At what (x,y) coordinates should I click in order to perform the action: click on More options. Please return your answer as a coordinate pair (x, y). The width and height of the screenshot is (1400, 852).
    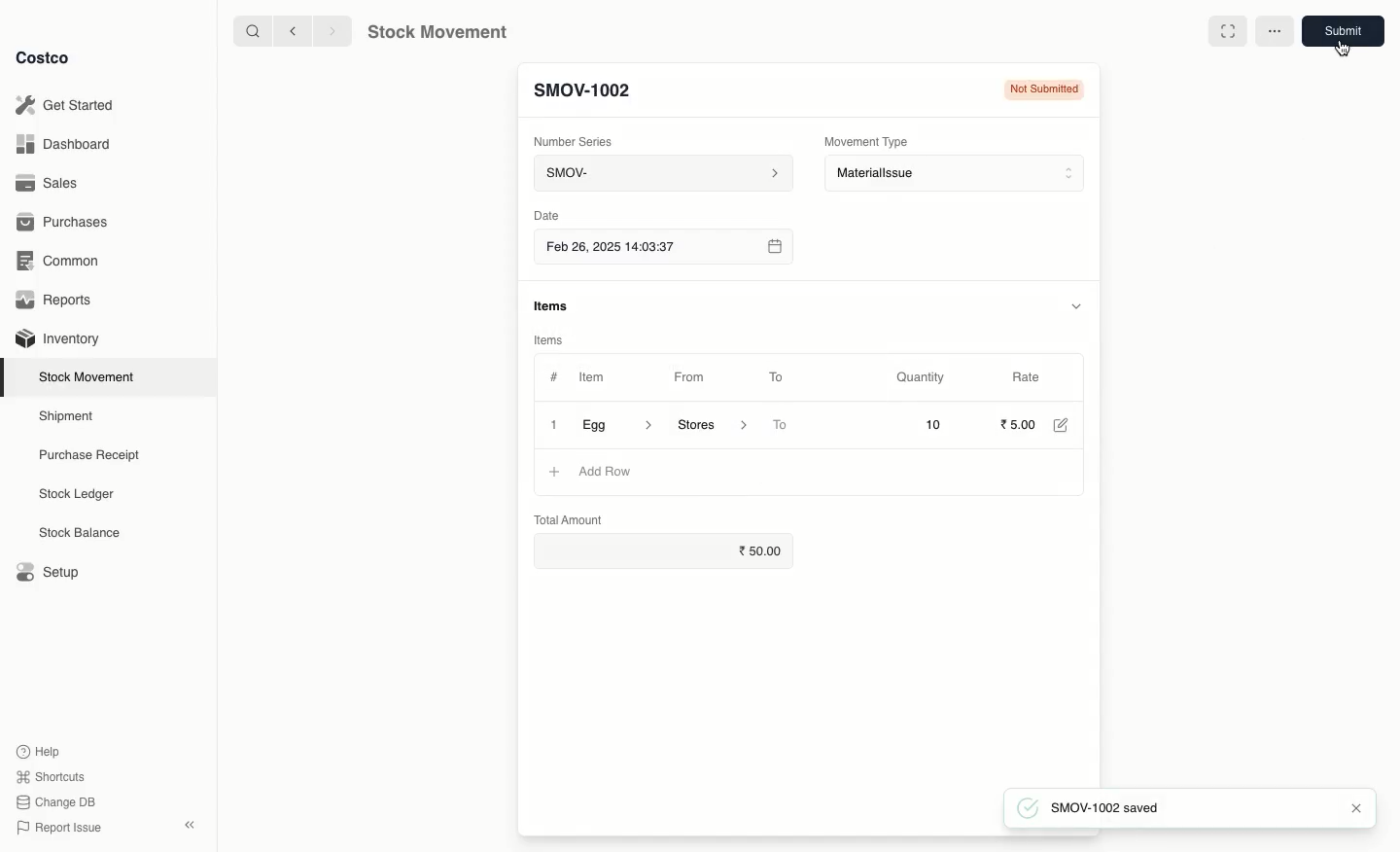
    Looking at the image, I should click on (1276, 31).